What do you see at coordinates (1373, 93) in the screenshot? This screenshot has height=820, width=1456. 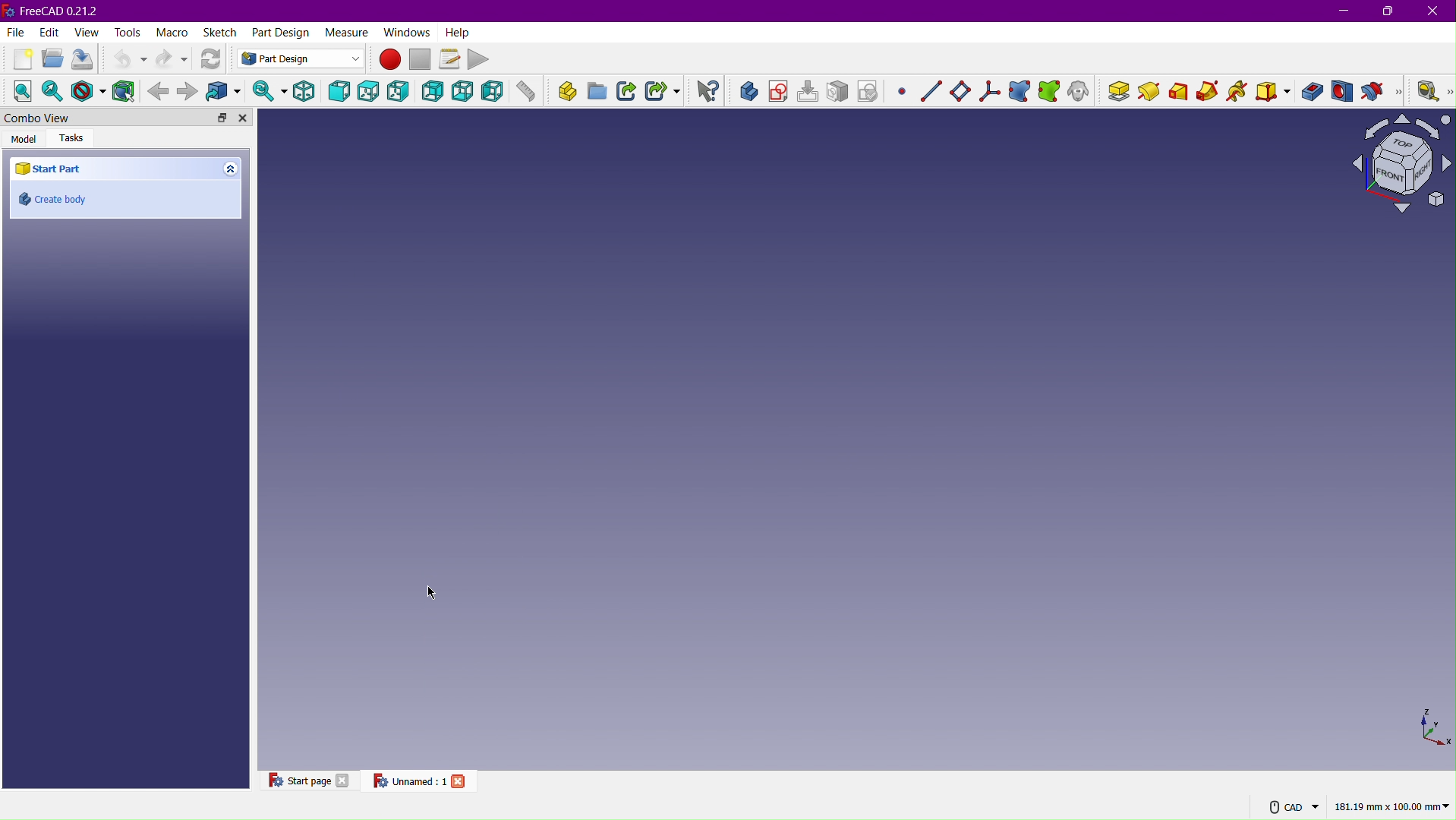 I see `Groove` at bounding box center [1373, 93].